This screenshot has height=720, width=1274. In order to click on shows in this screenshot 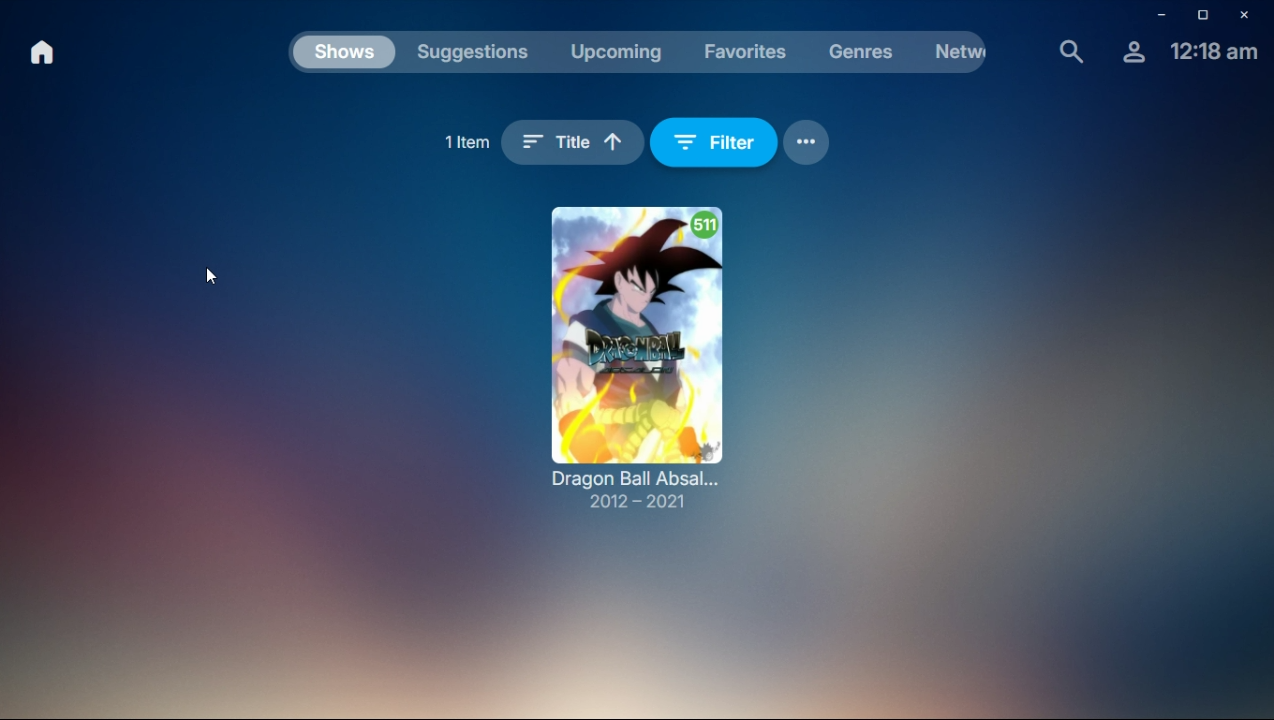, I will do `click(345, 56)`.